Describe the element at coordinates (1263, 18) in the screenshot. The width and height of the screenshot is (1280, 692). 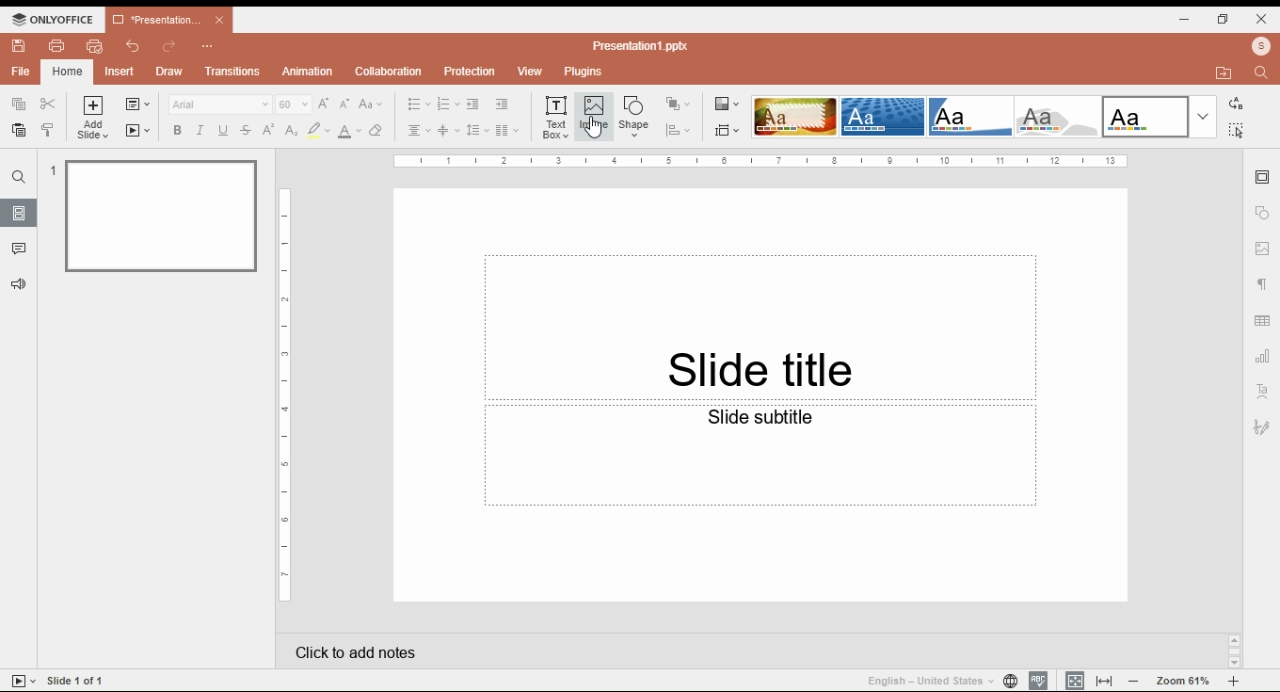
I see `close window` at that location.